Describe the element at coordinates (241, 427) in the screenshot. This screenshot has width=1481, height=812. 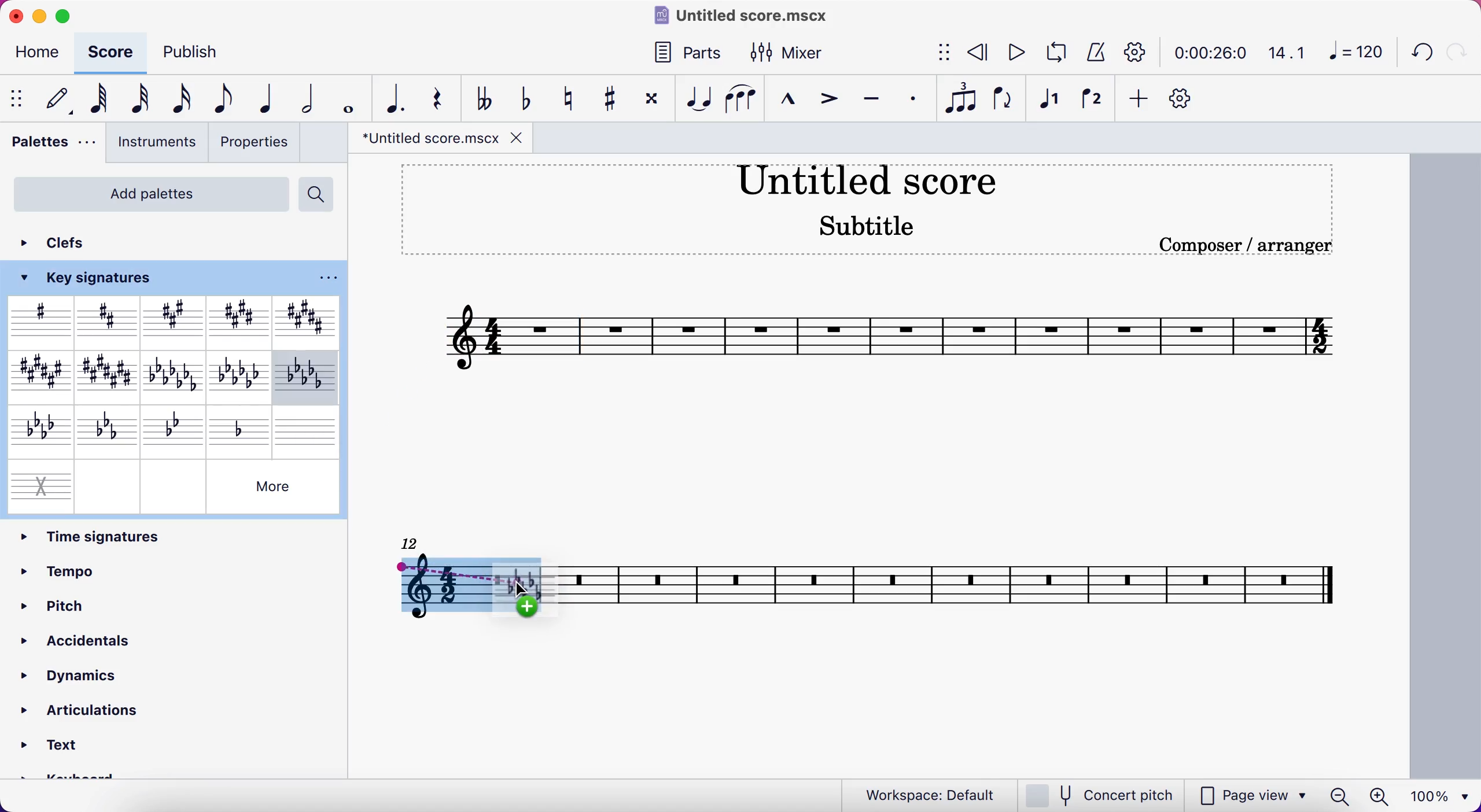
I see `D minor` at that location.